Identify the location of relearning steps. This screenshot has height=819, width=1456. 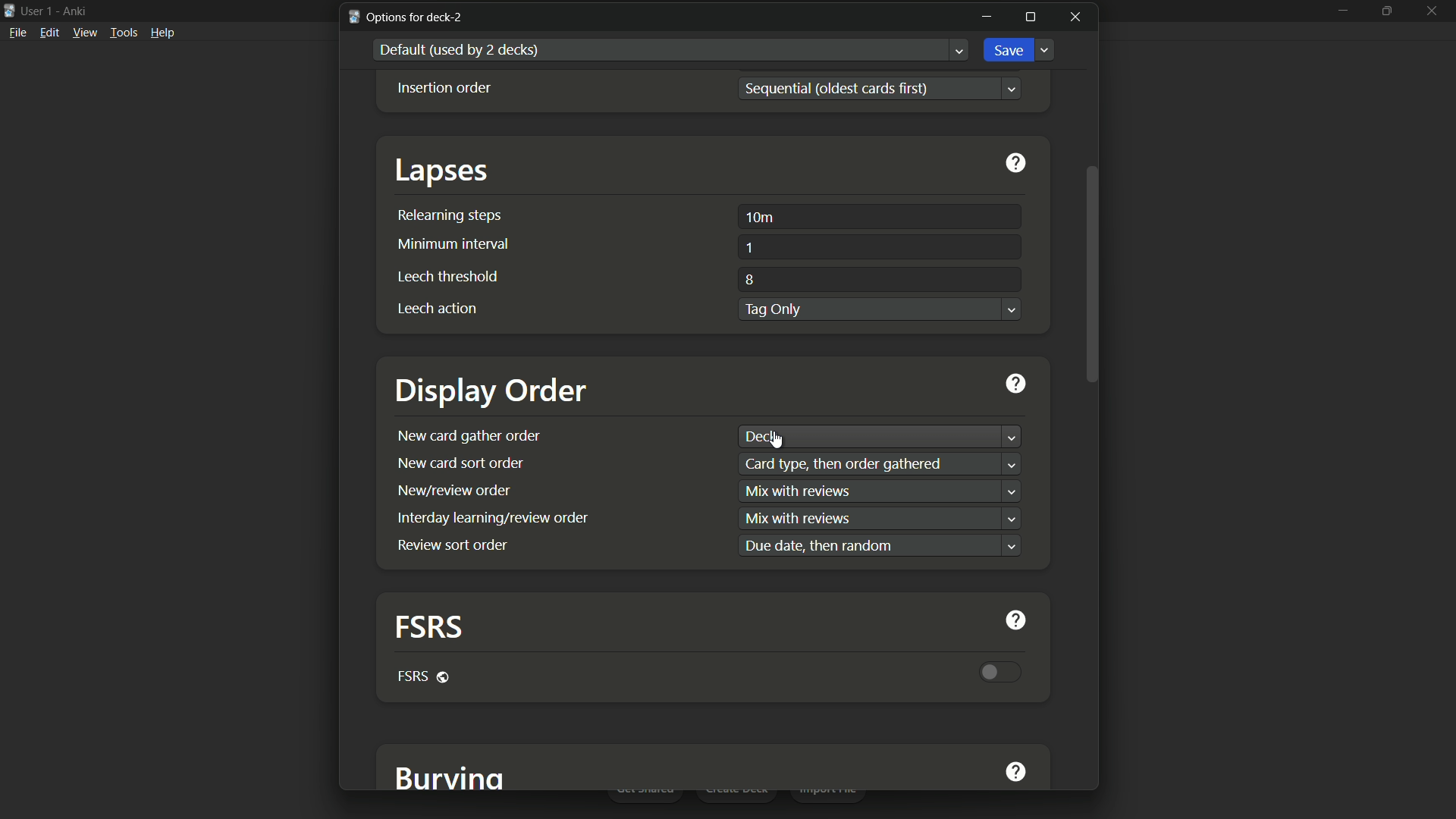
(450, 215).